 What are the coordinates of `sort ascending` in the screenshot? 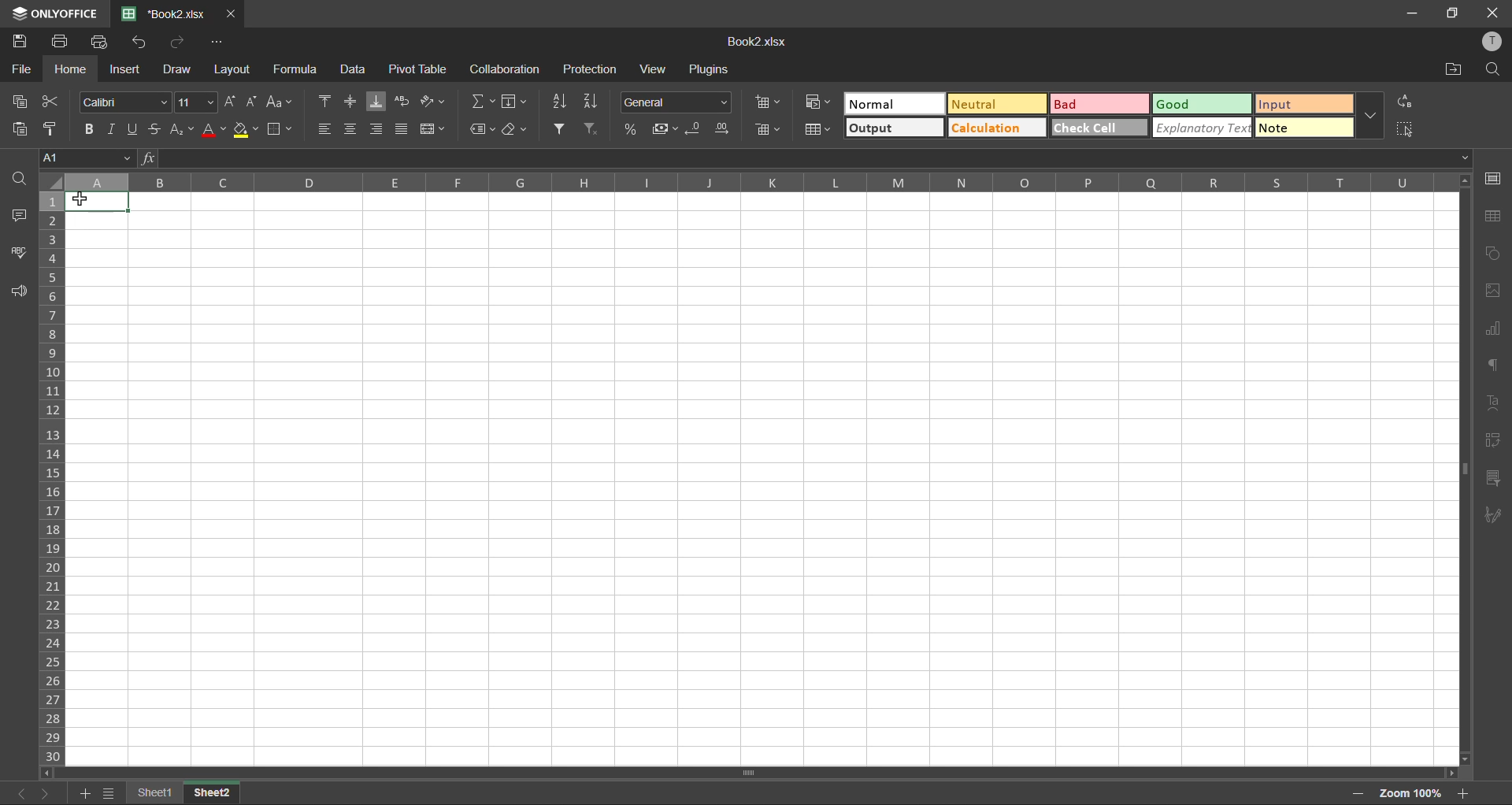 It's located at (561, 100).